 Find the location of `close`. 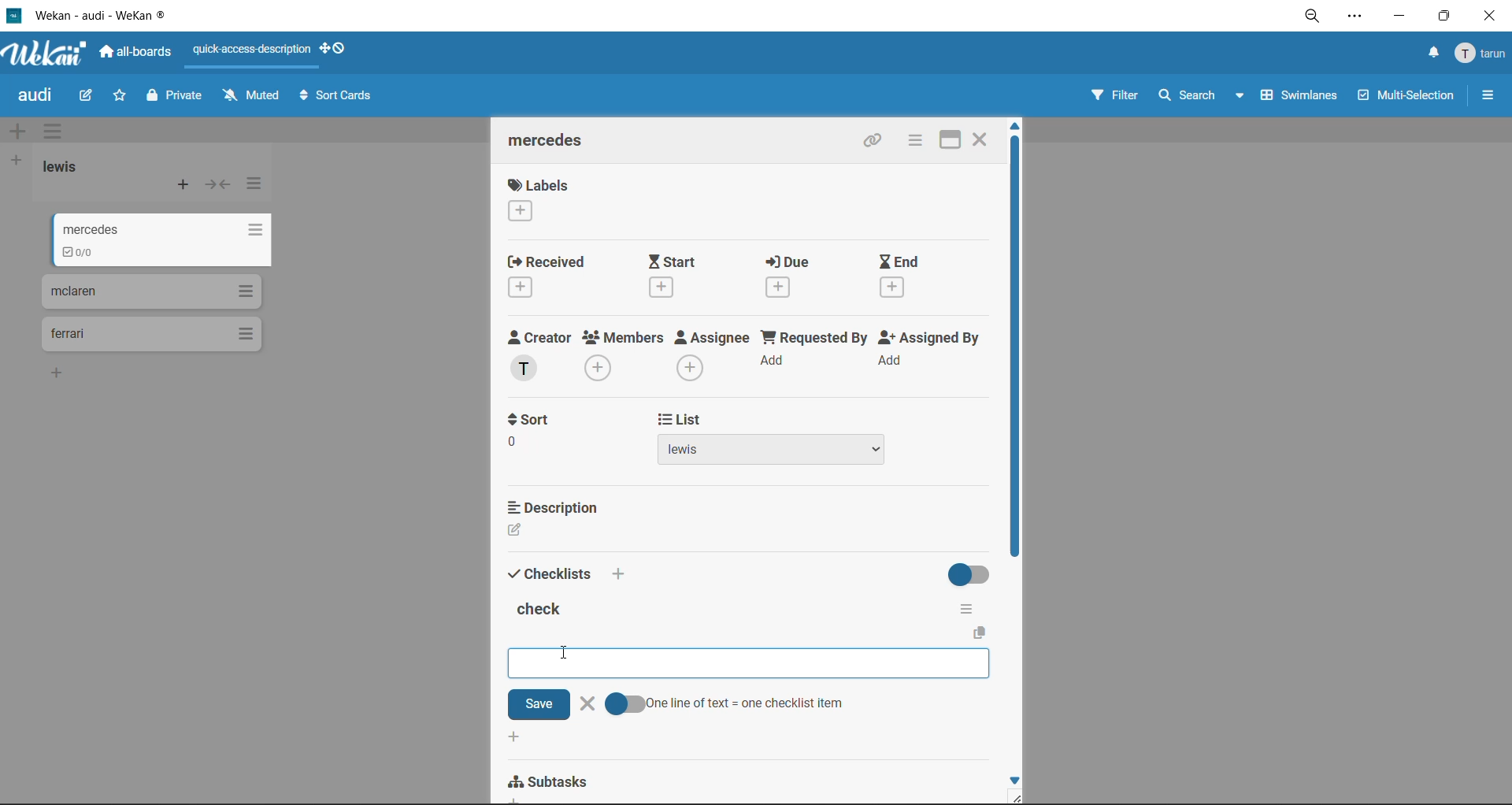

close is located at coordinates (981, 137).